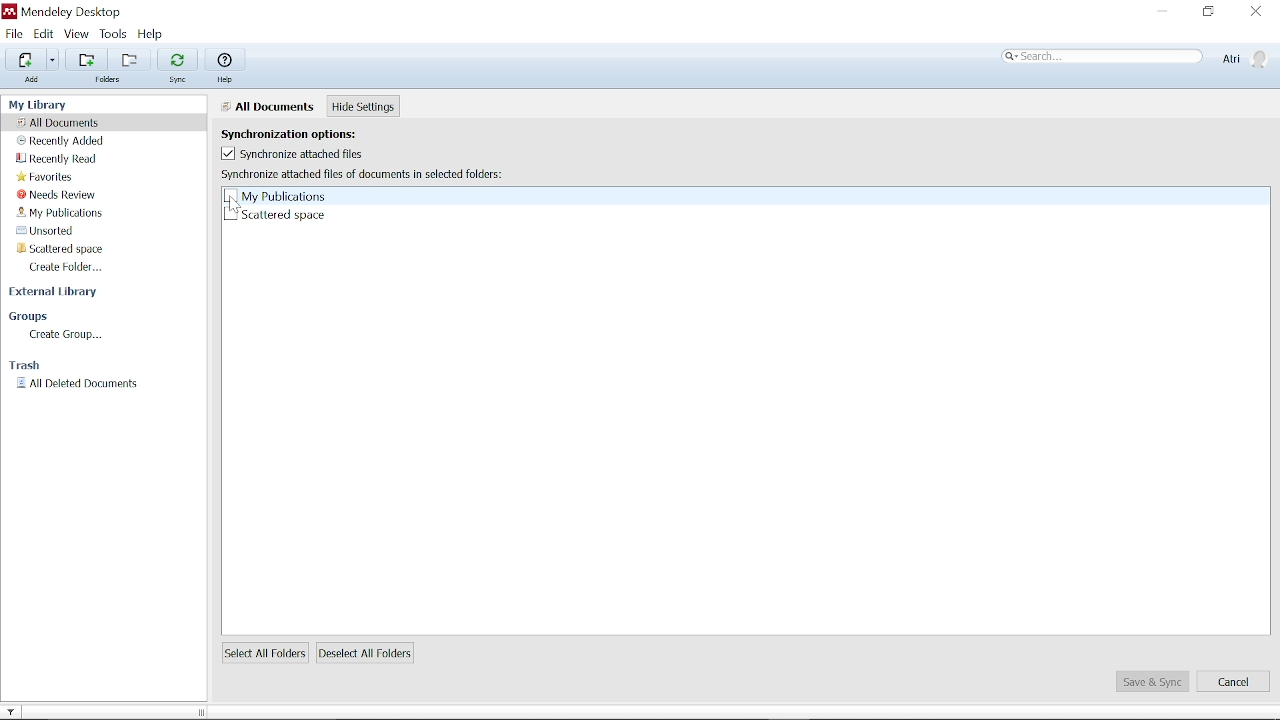 The image size is (1280, 720). I want to click on sync, so click(180, 81).